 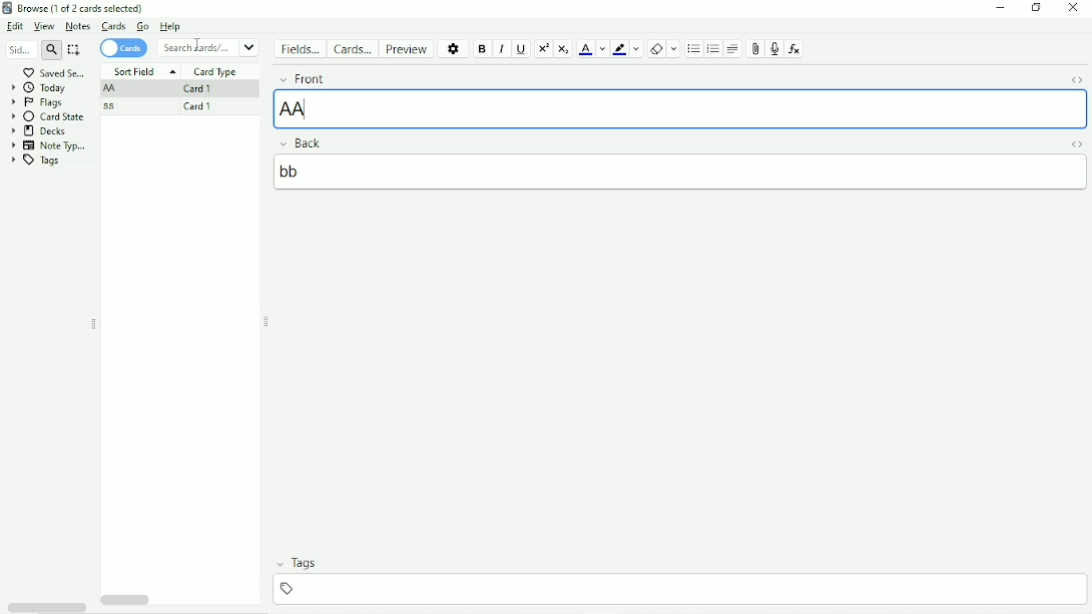 I want to click on Select formatting to remove, so click(x=675, y=49).